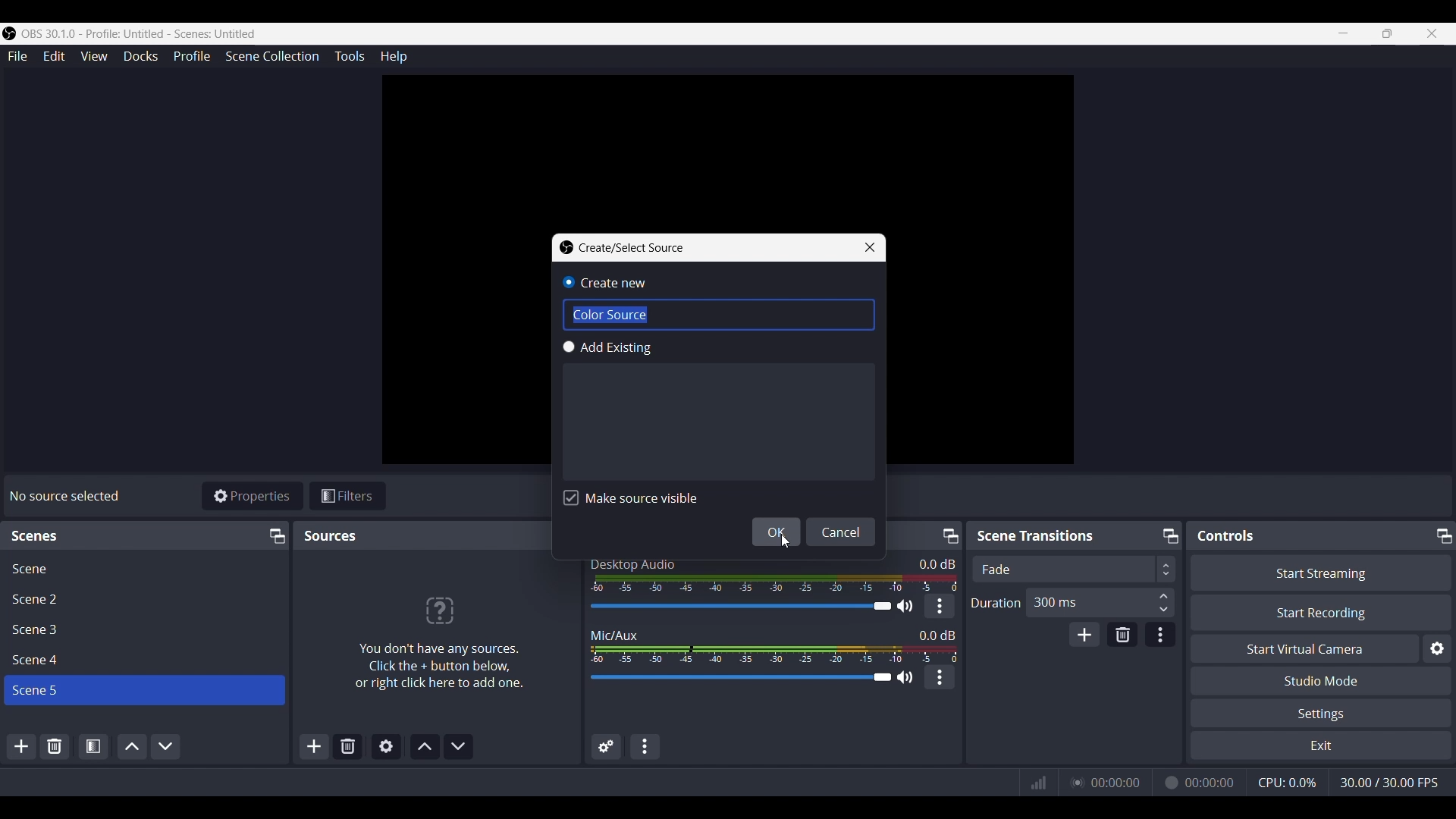 This screenshot has height=819, width=1456. I want to click on Transition Properties, so click(1160, 634).